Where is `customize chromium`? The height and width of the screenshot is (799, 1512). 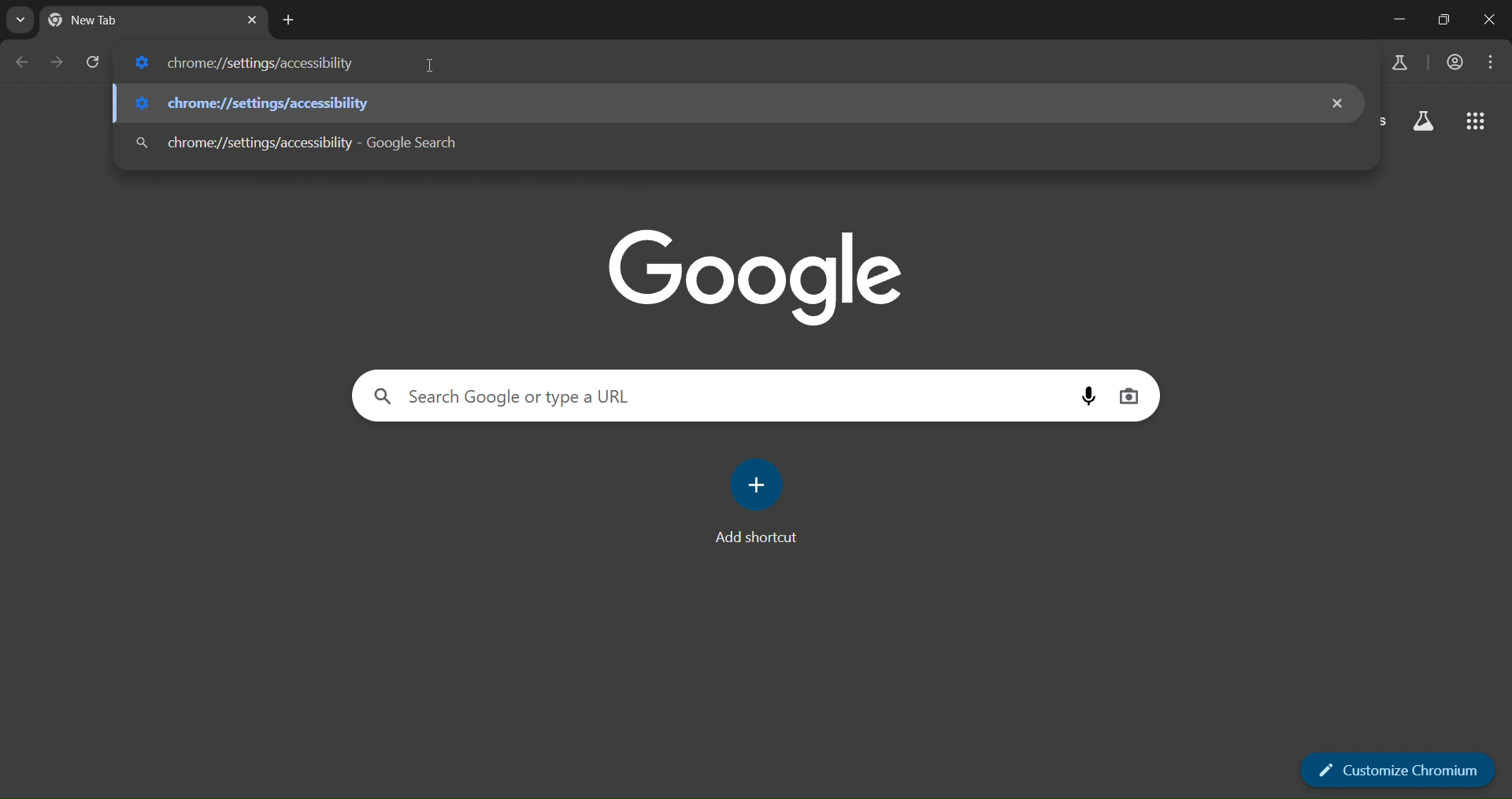 customize chromium is located at coordinates (1395, 769).